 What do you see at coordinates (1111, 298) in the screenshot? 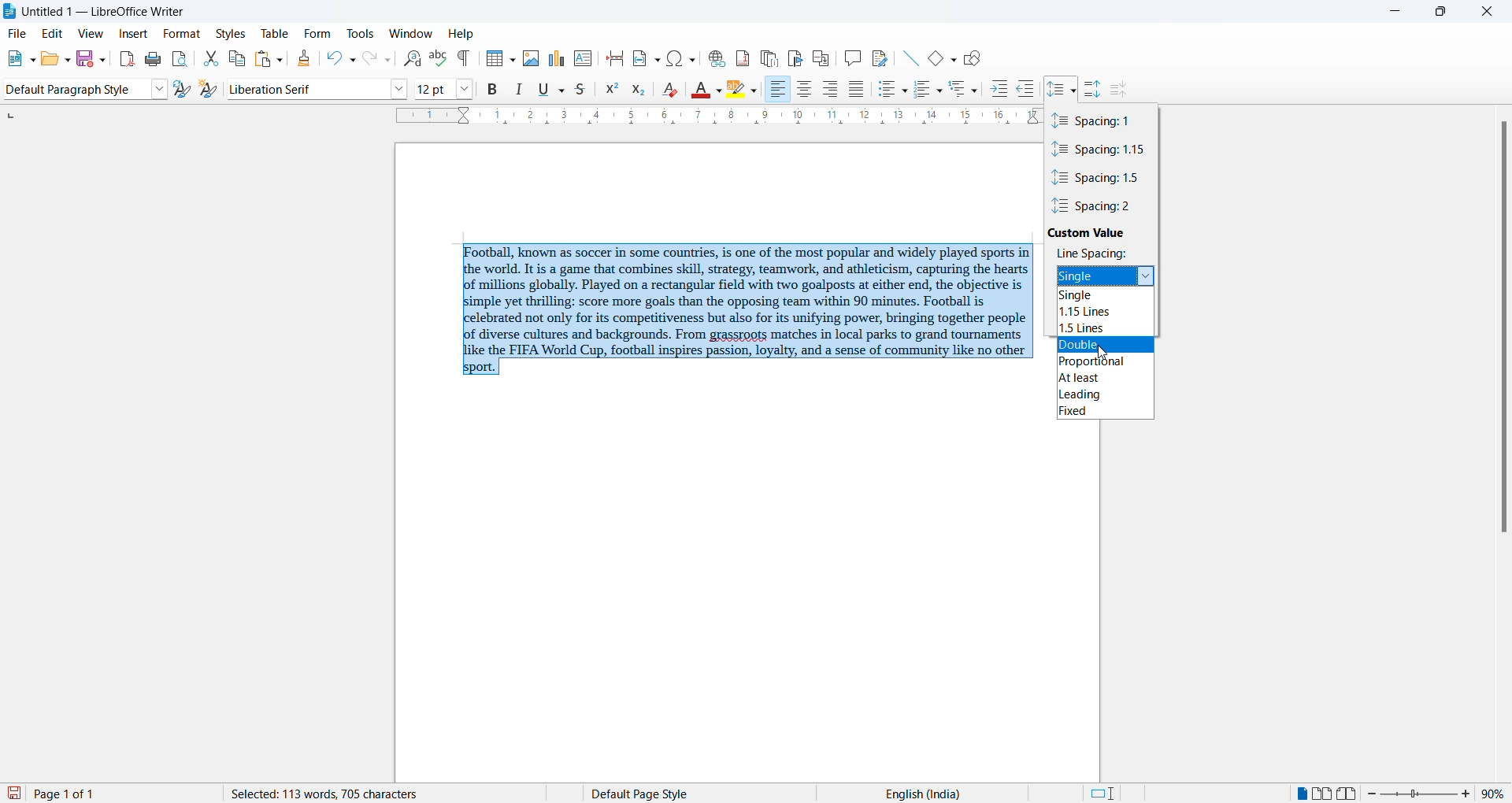
I see `single` at bounding box center [1111, 298].